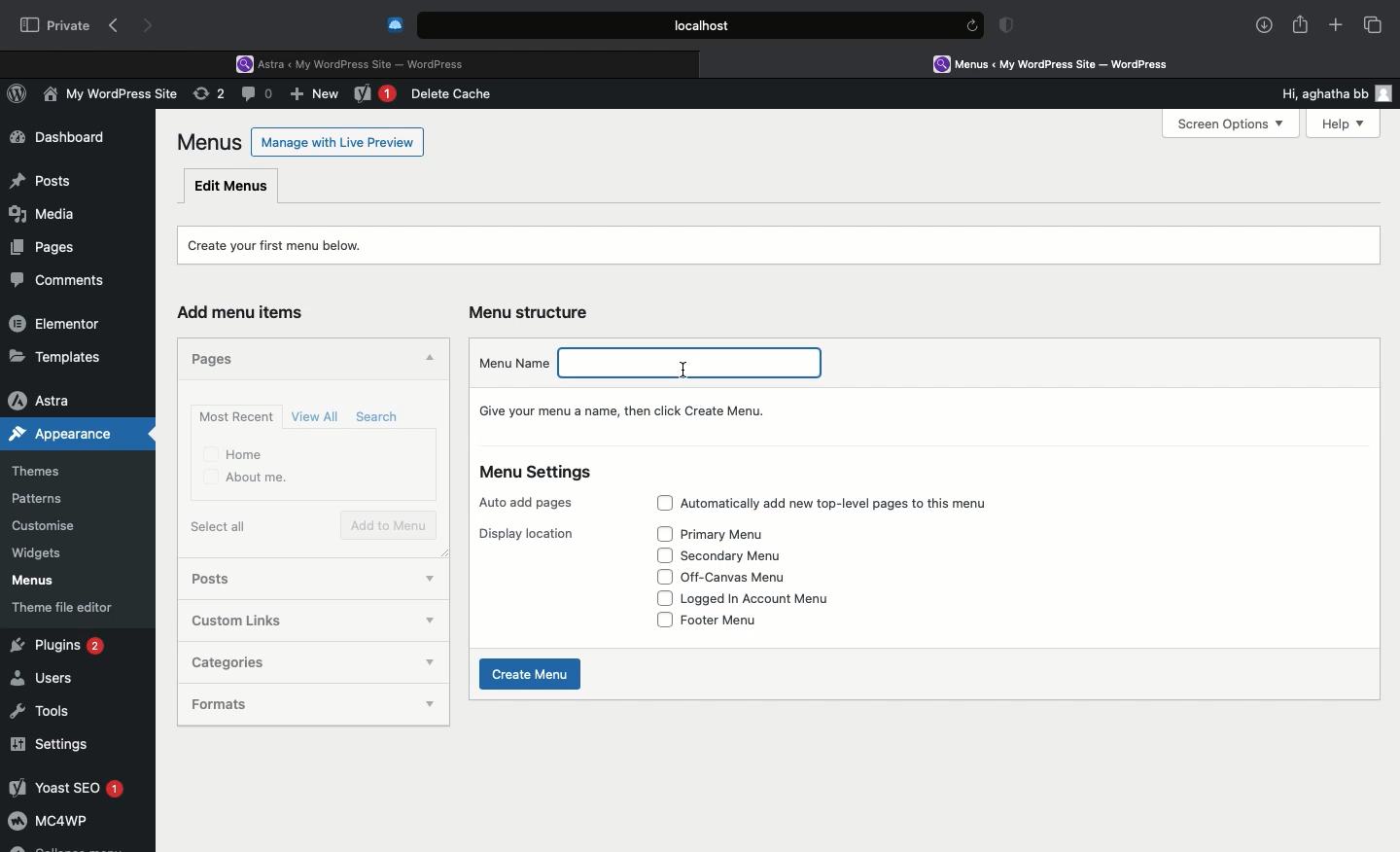 The image size is (1400, 852). What do you see at coordinates (1066, 63) in the screenshot?
I see `Menus < My WordPress Site - WordPress` at bounding box center [1066, 63].